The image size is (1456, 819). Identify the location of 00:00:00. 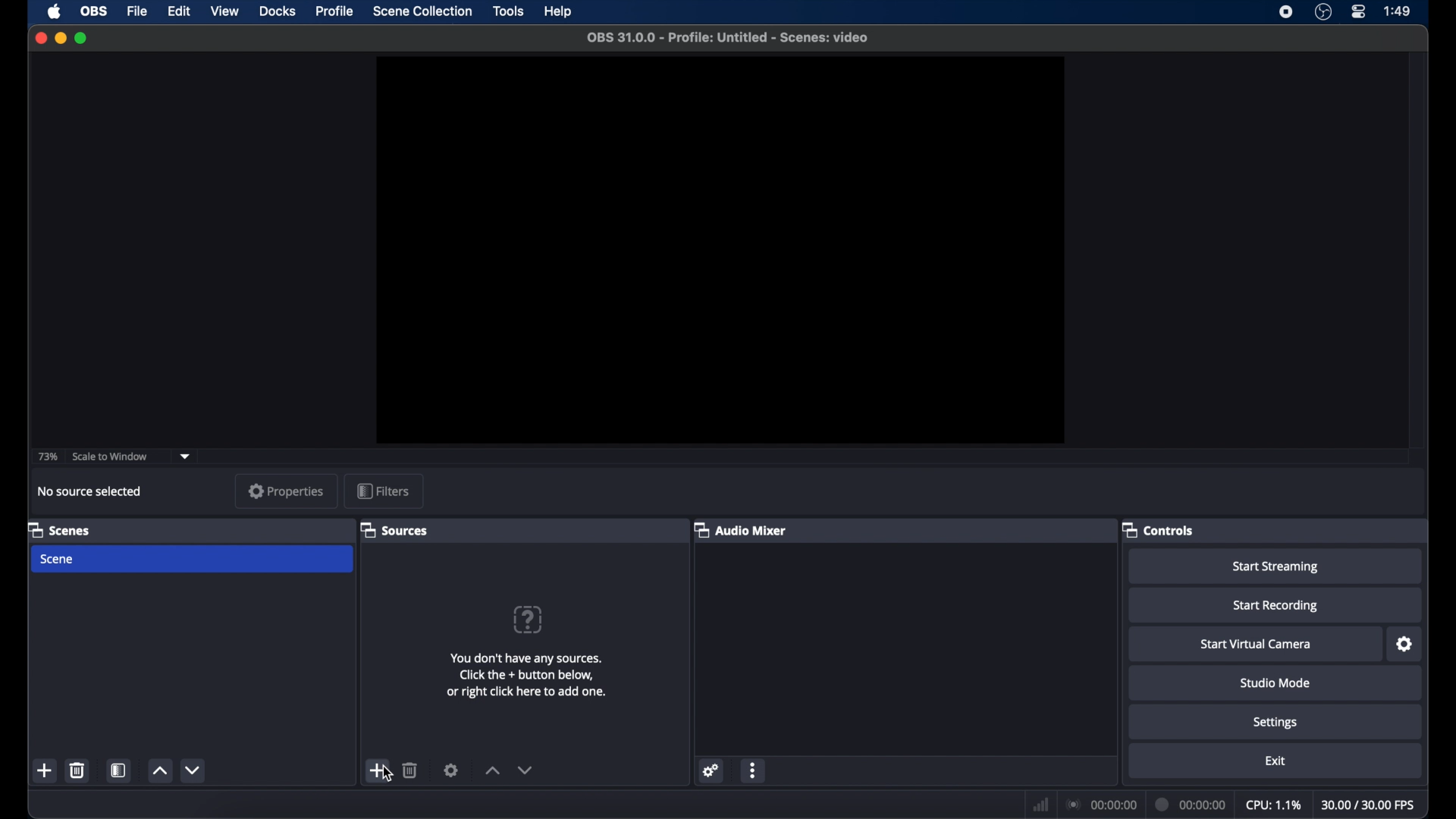
(1189, 802).